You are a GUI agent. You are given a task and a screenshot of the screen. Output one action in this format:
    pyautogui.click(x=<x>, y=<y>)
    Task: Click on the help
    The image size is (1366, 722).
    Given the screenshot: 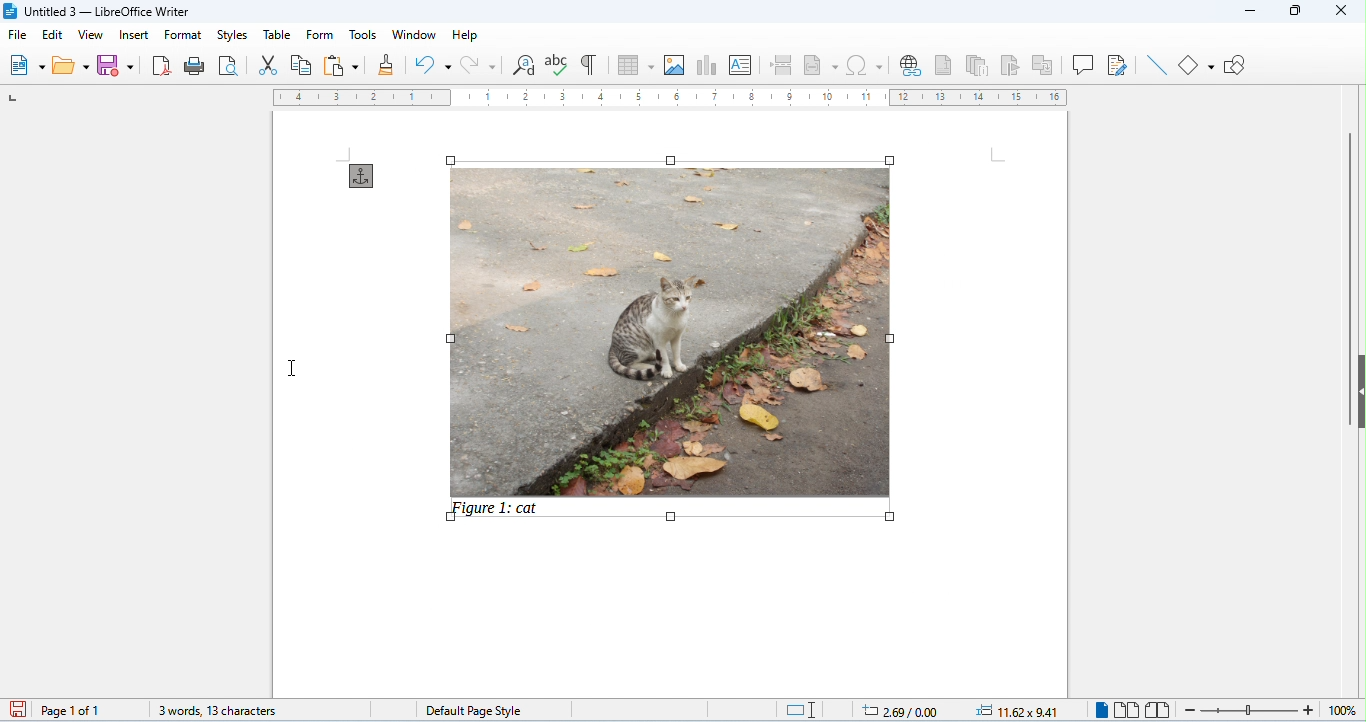 What is the action you would take?
    pyautogui.click(x=465, y=35)
    